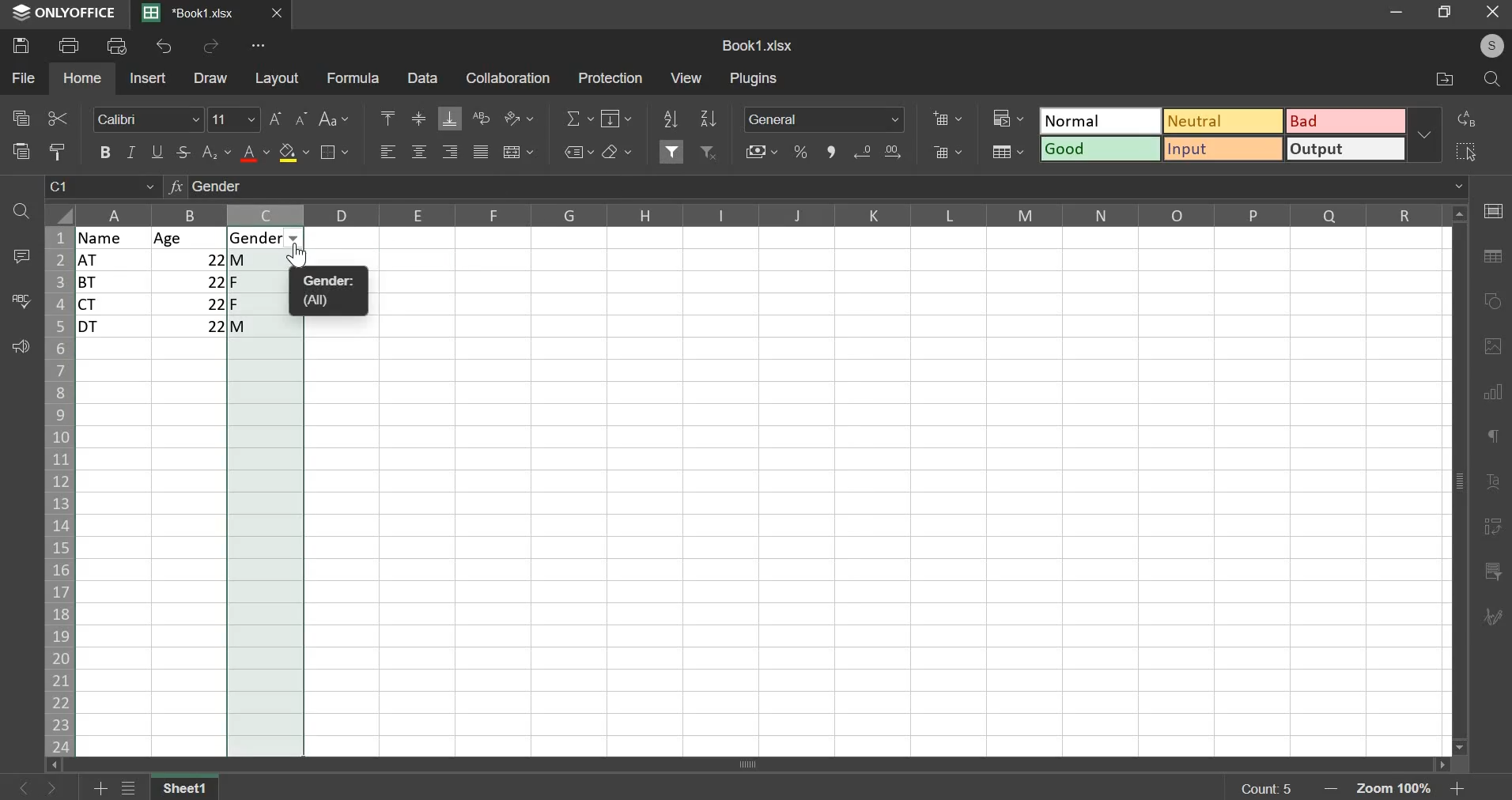  Describe the element at coordinates (609, 77) in the screenshot. I see `protection` at that location.